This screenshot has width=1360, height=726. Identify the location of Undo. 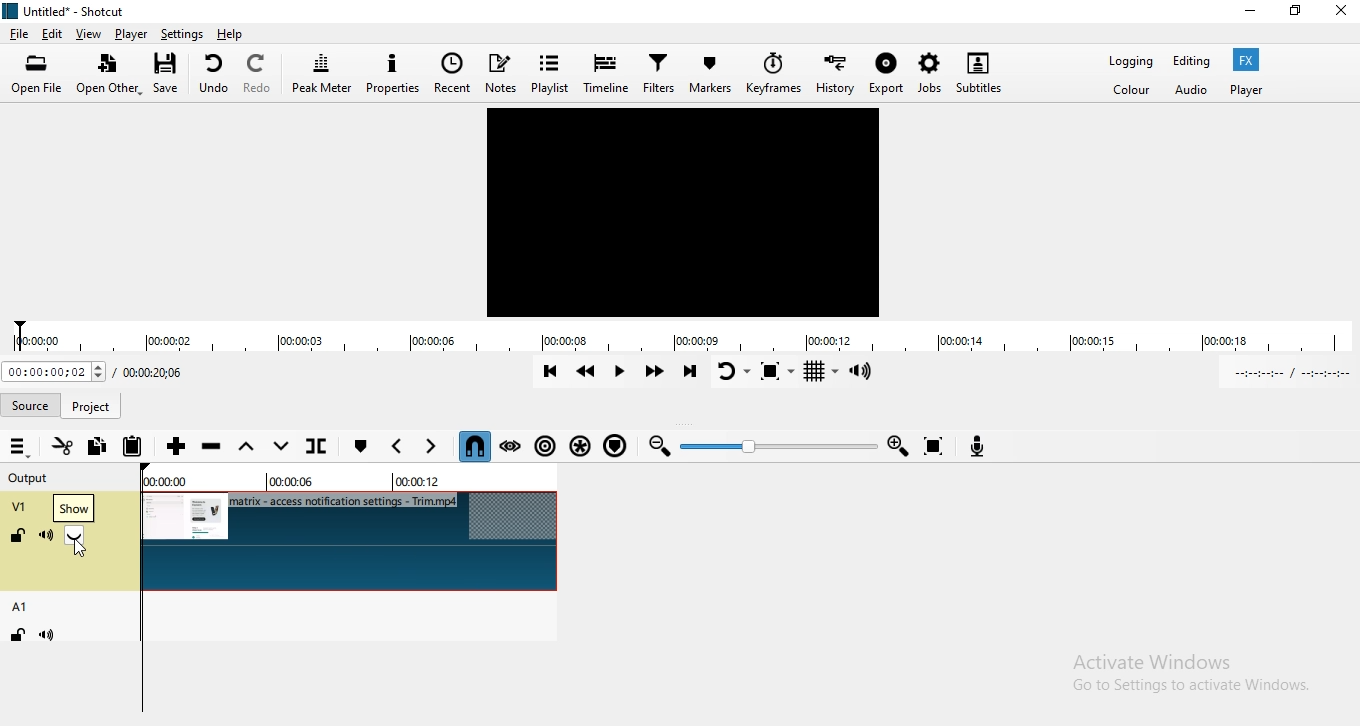
(217, 76).